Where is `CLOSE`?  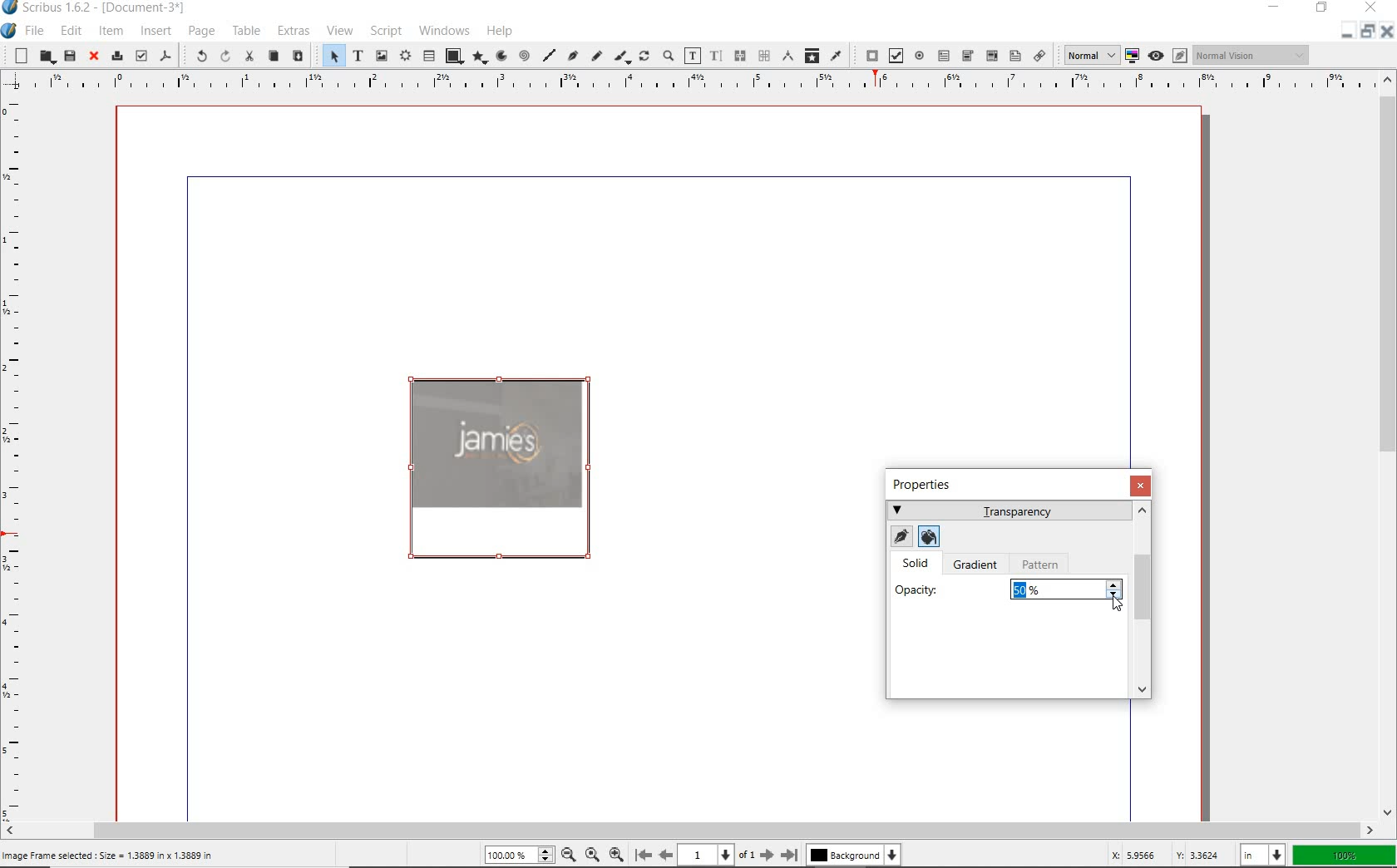 CLOSE is located at coordinates (1142, 486).